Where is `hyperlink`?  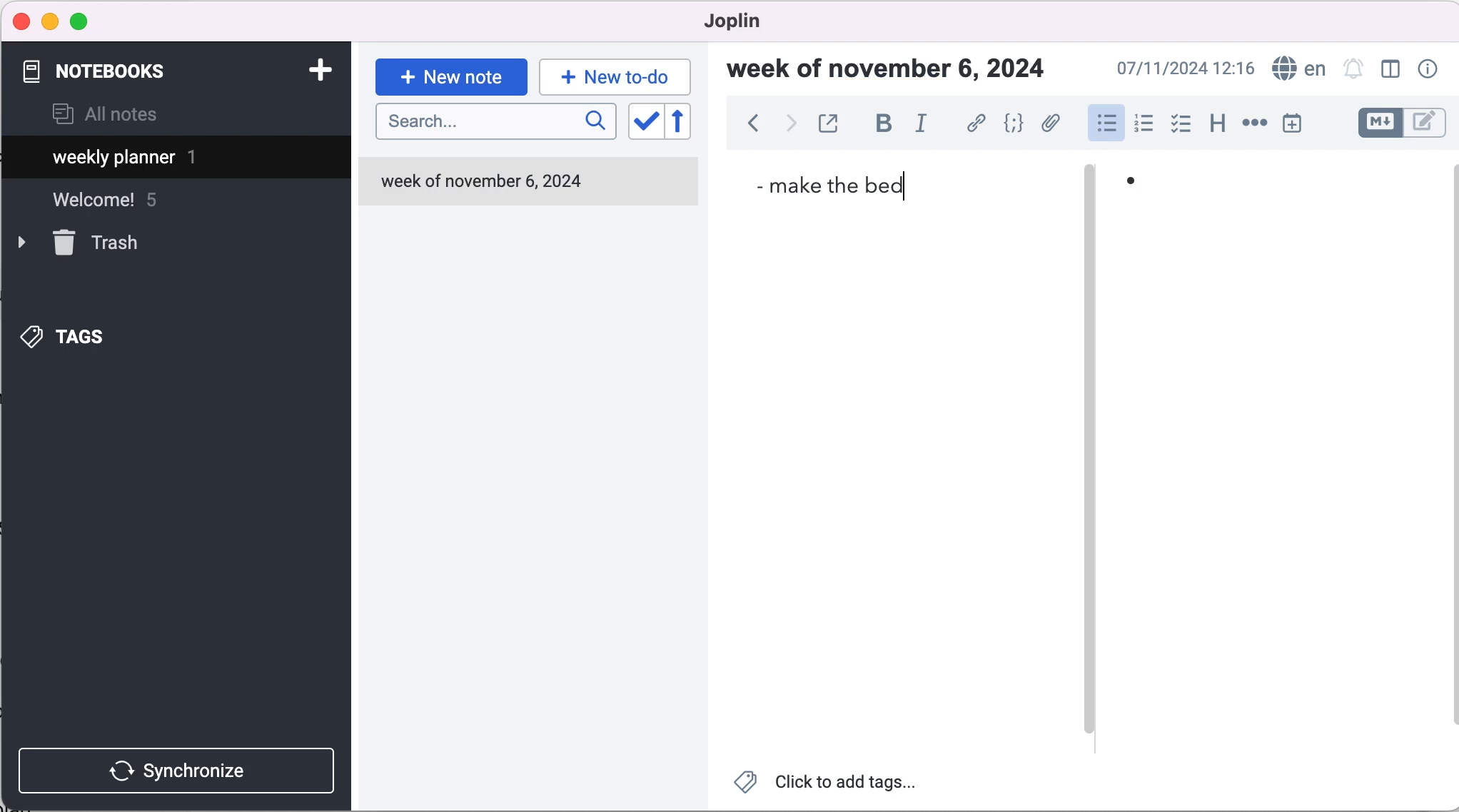
hyperlink is located at coordinates (977, 126).